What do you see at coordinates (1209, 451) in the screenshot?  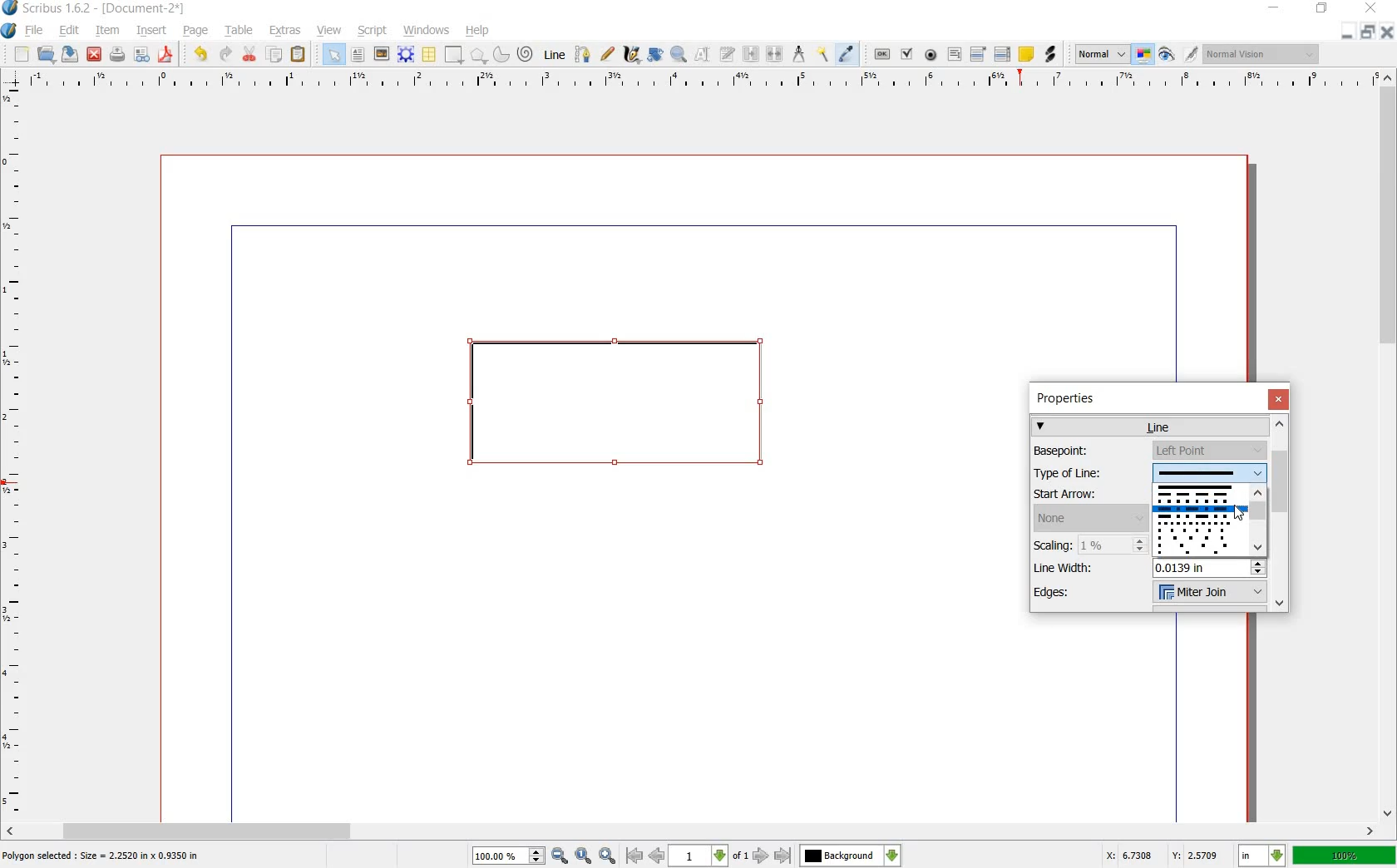 I see `basepoint` at bounding box center [1209, 451].